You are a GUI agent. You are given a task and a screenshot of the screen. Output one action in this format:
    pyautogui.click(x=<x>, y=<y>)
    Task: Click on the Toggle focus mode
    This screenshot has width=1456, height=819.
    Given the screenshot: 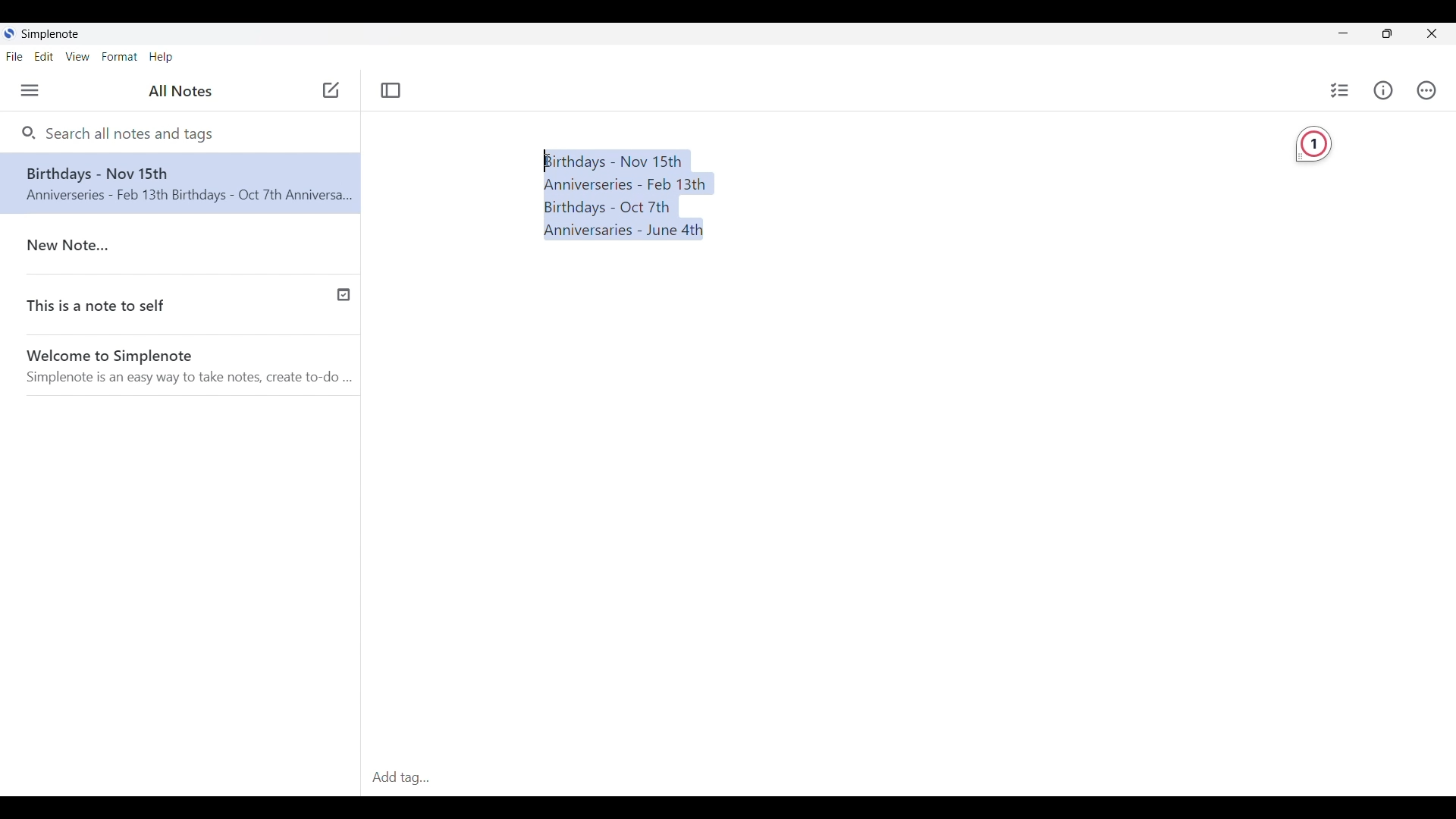 What is the action you would take?
    pyautogui.click(x=391, y=90)
    